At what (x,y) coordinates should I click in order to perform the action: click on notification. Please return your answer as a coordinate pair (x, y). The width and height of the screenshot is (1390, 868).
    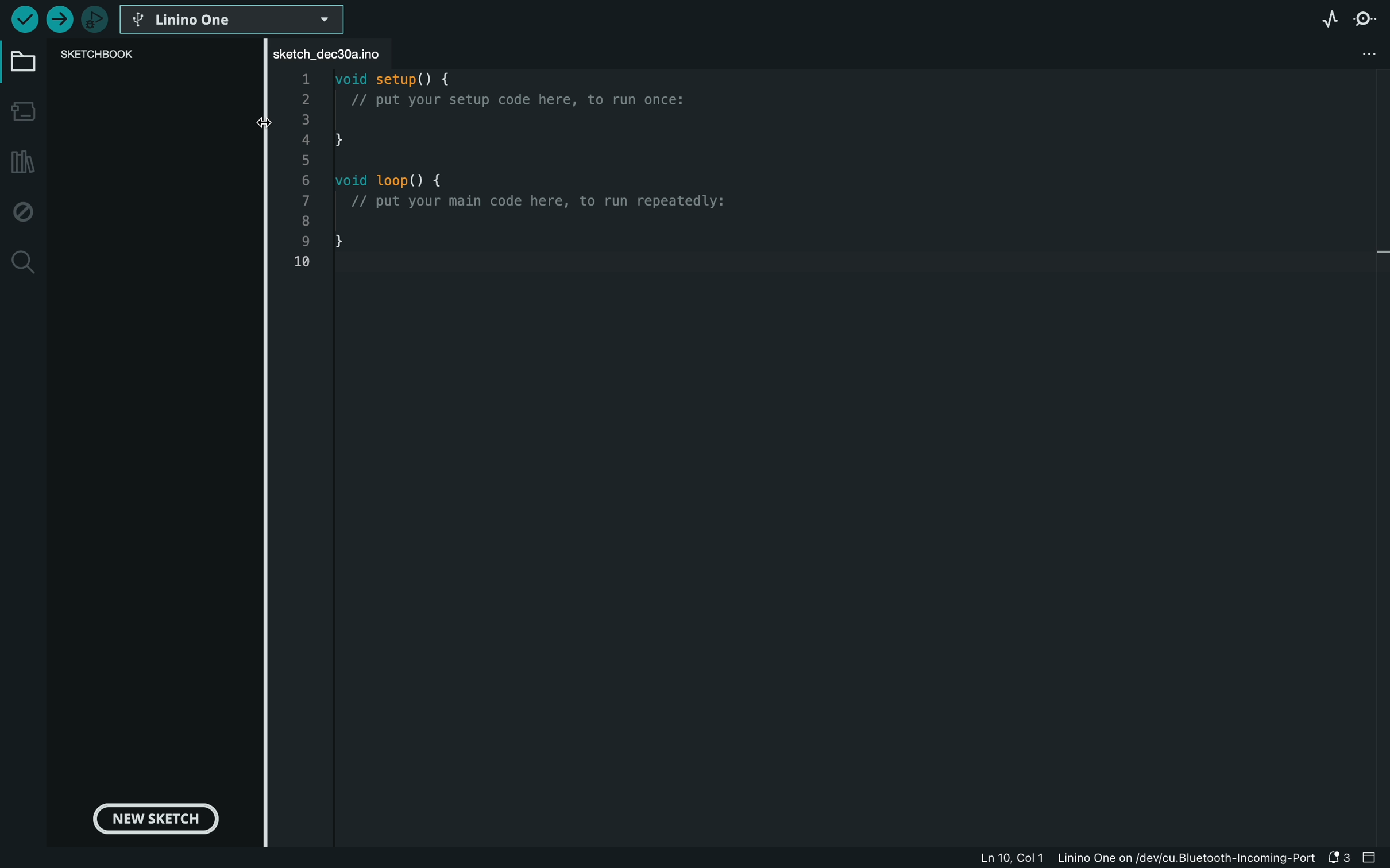
    Looking at the image, I should click on (1337, 858).